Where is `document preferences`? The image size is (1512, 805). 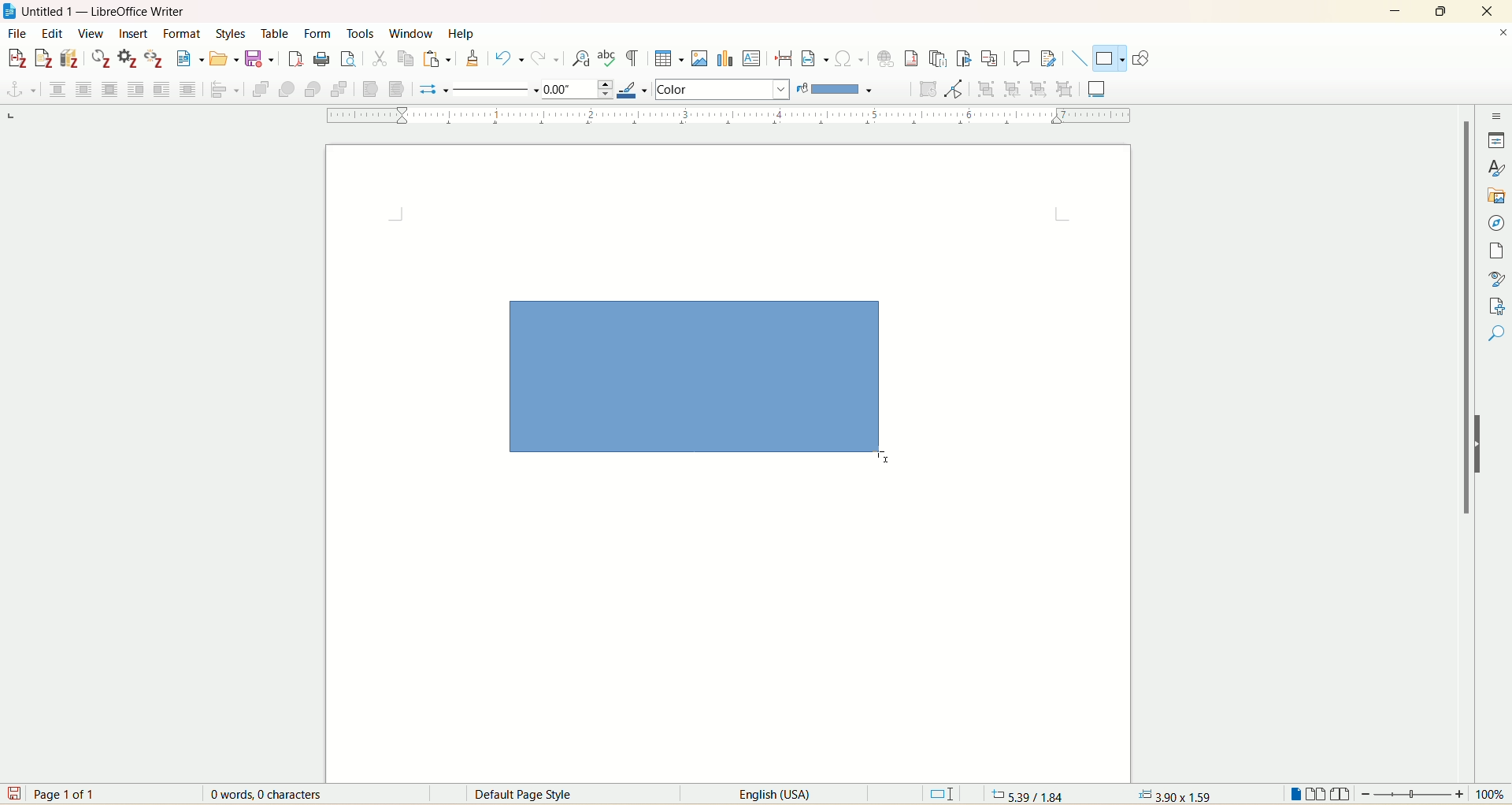 document preferences is located at coordinates (127, 58).